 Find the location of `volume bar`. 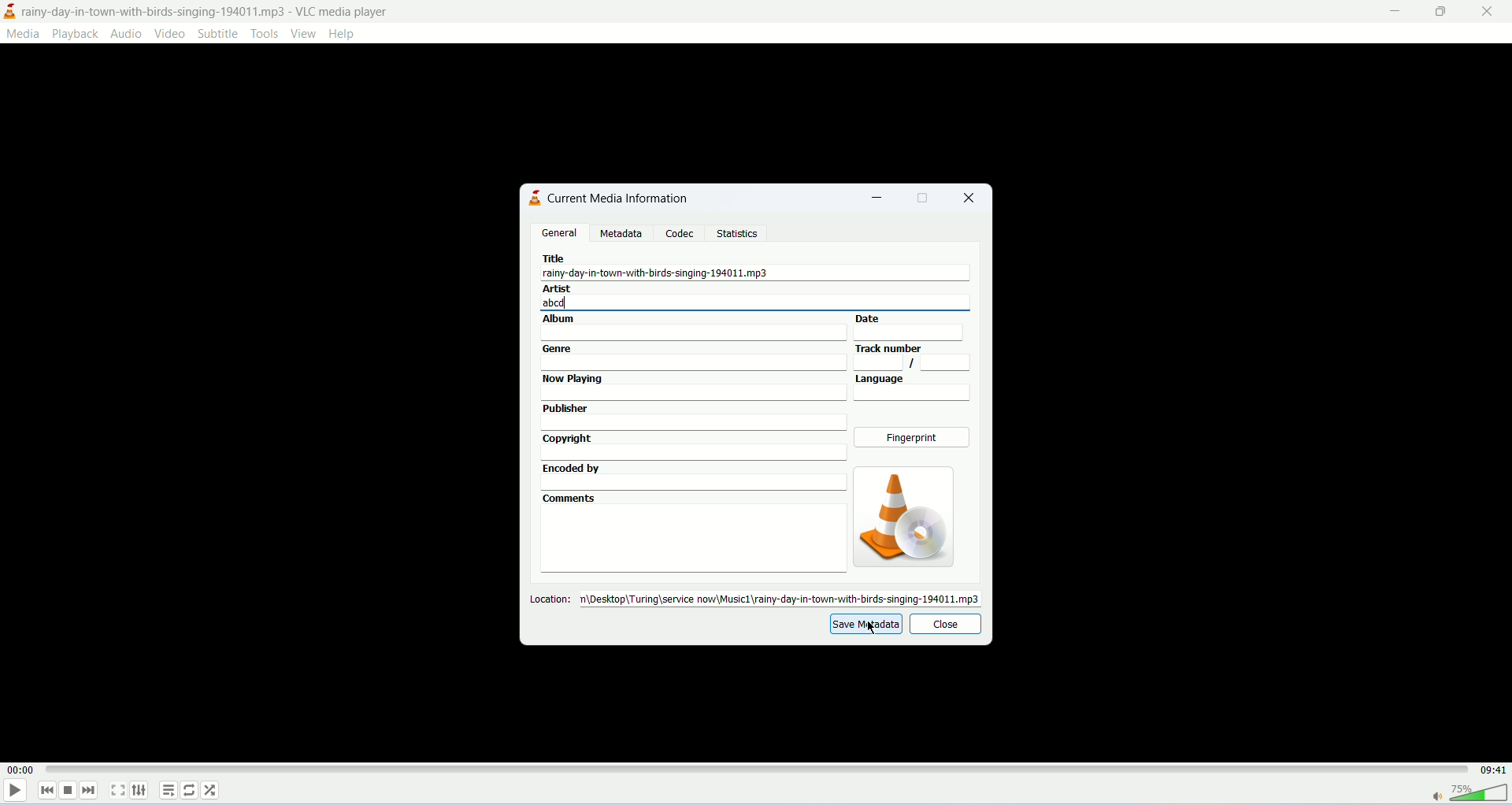

volume bar is located at coordinates (1466, 794).